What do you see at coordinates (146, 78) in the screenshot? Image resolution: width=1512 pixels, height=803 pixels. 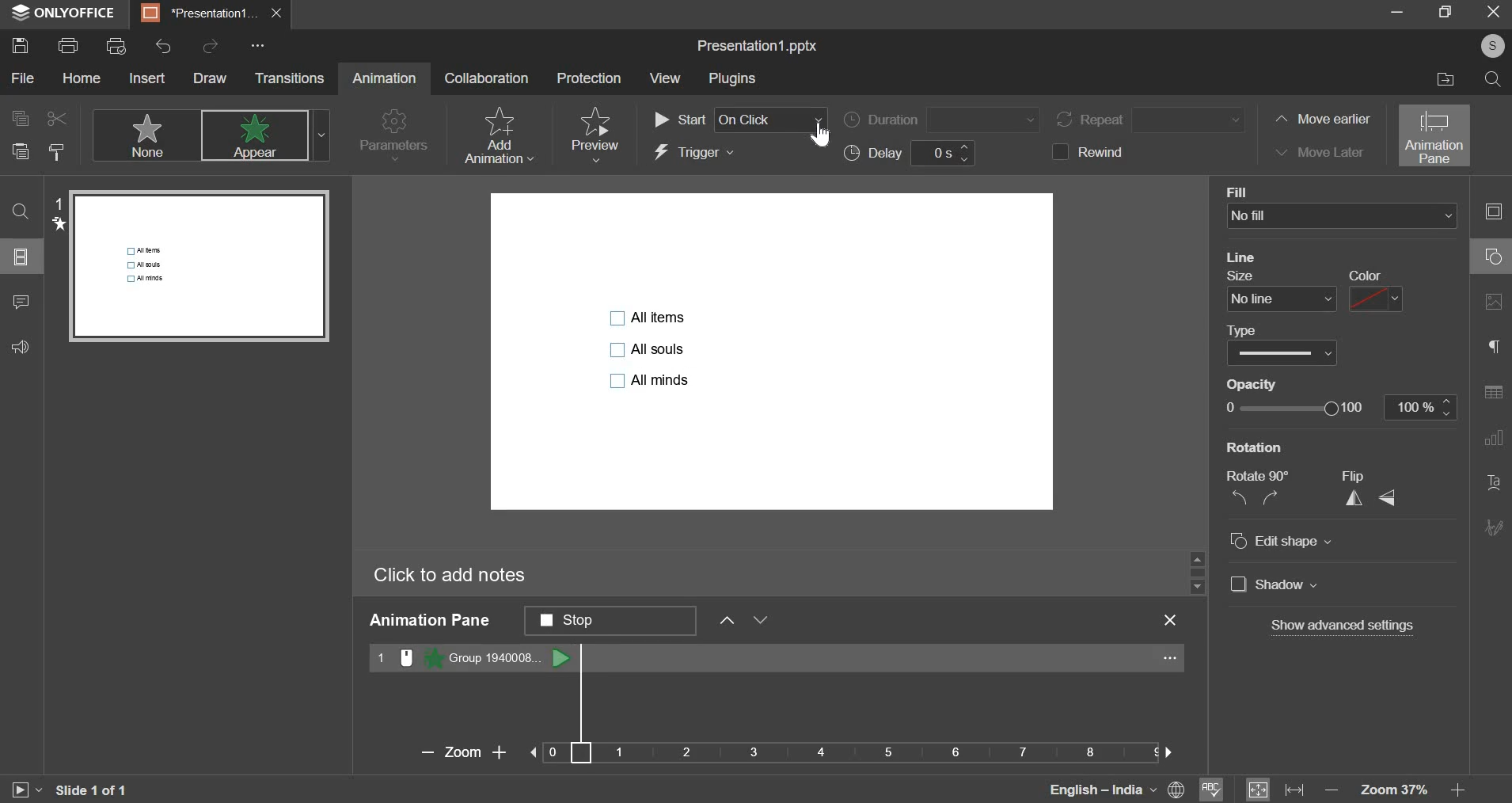 I see `insert` at bounding box center [146, 78].